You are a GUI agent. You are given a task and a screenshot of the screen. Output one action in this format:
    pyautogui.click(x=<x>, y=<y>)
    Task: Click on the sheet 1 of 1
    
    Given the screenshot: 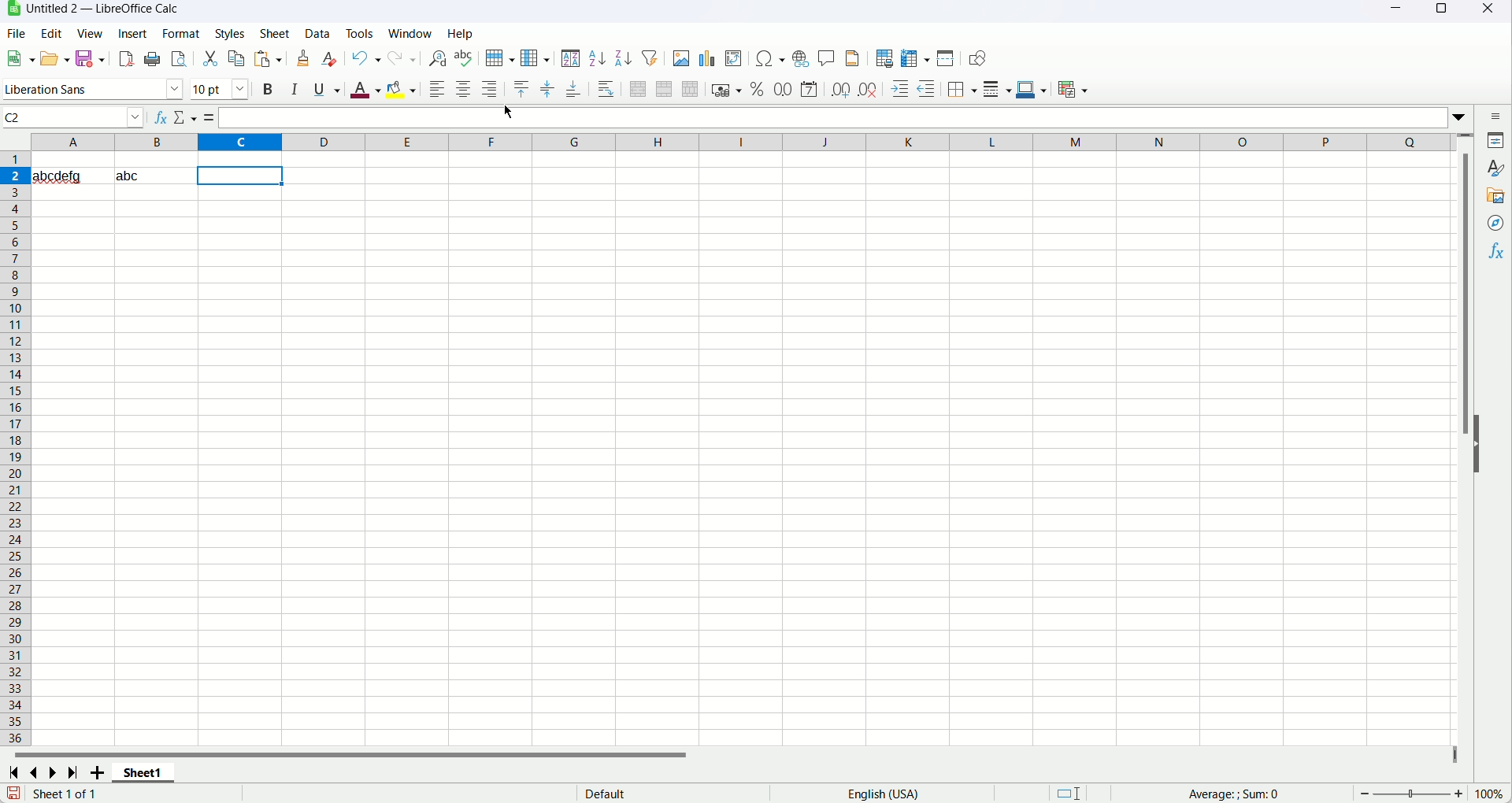 What is the action you would take?
    pyautogui.click(x=69, y=794)
    